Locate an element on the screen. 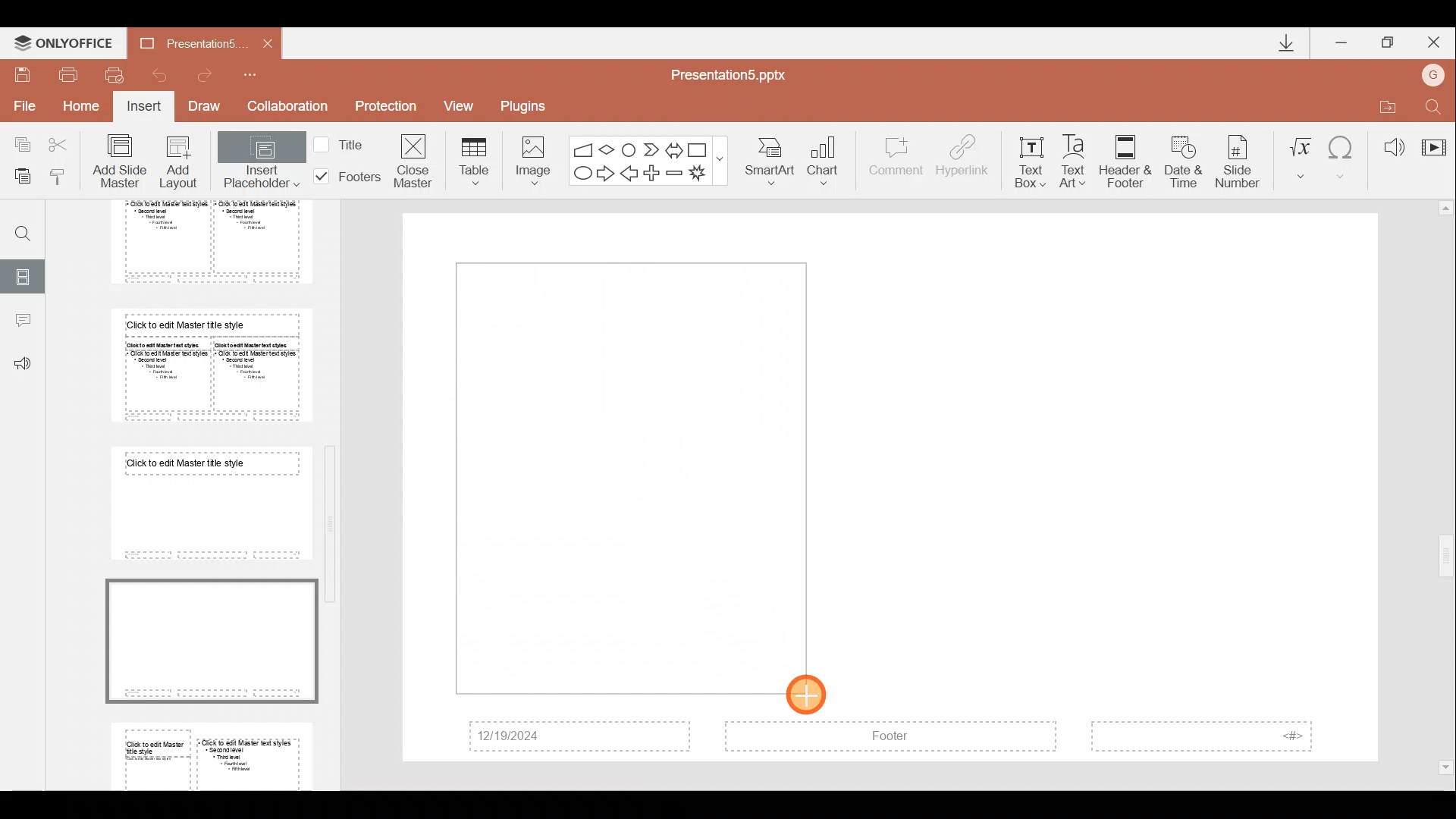 The height and width of the screenshot is (819, 1456). Presentation slide is located at coordinates (1134, 488).